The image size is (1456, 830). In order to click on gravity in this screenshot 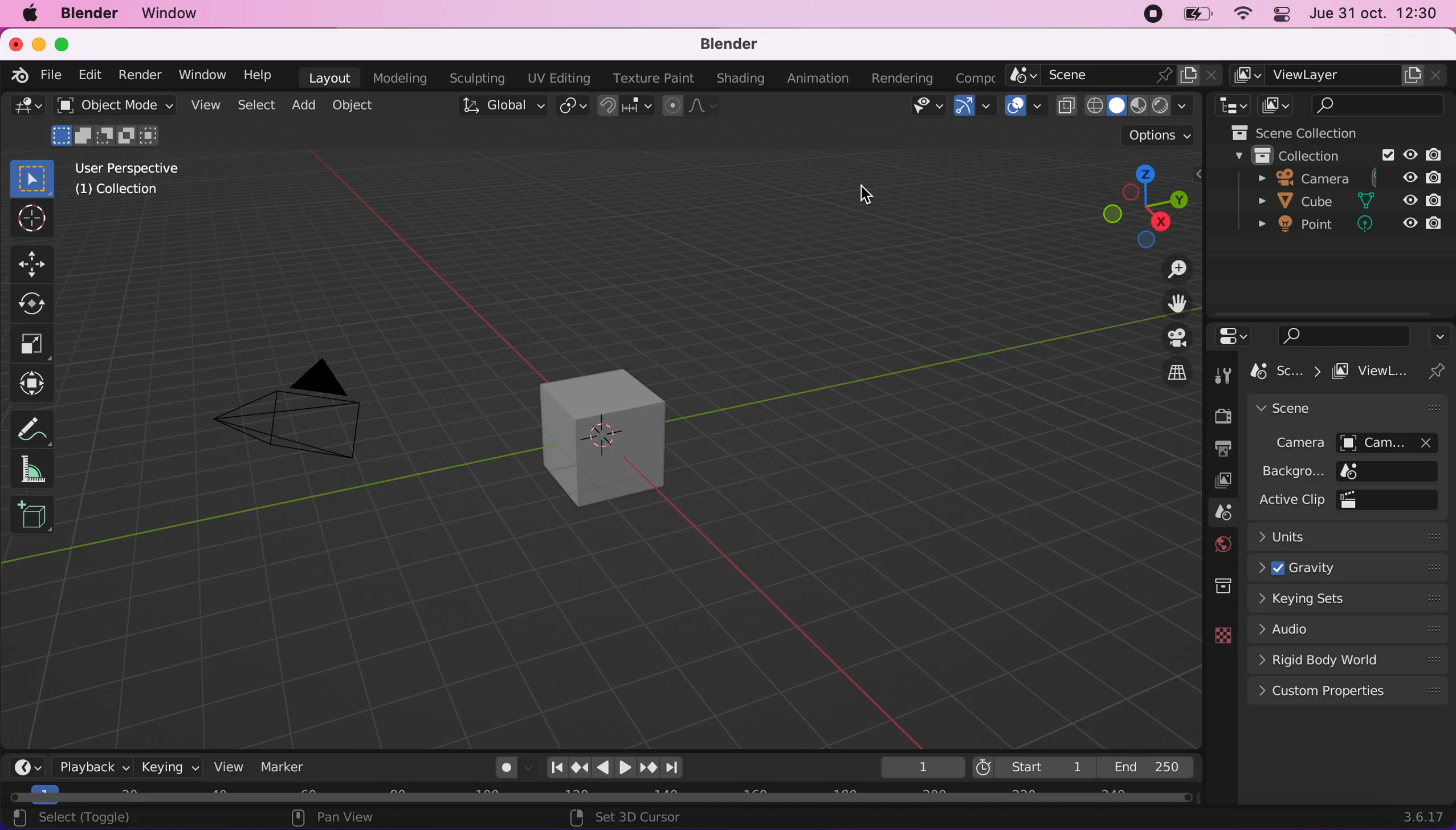, I will do `click(1352, 568)`.